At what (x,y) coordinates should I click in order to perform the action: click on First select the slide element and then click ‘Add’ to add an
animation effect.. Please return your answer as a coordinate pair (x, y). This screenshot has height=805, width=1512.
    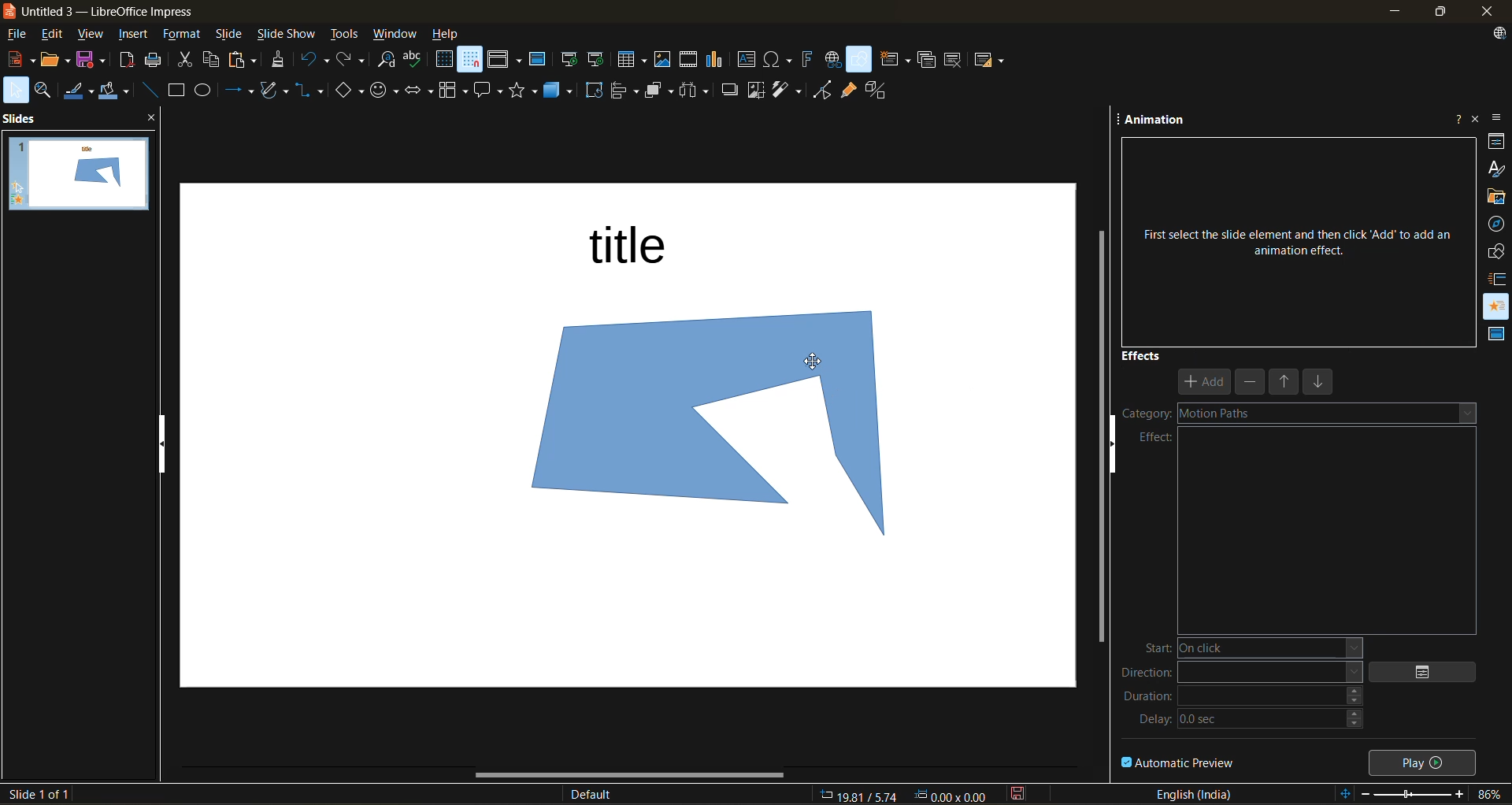
    Looking at the image, I should click on (1295, 241).